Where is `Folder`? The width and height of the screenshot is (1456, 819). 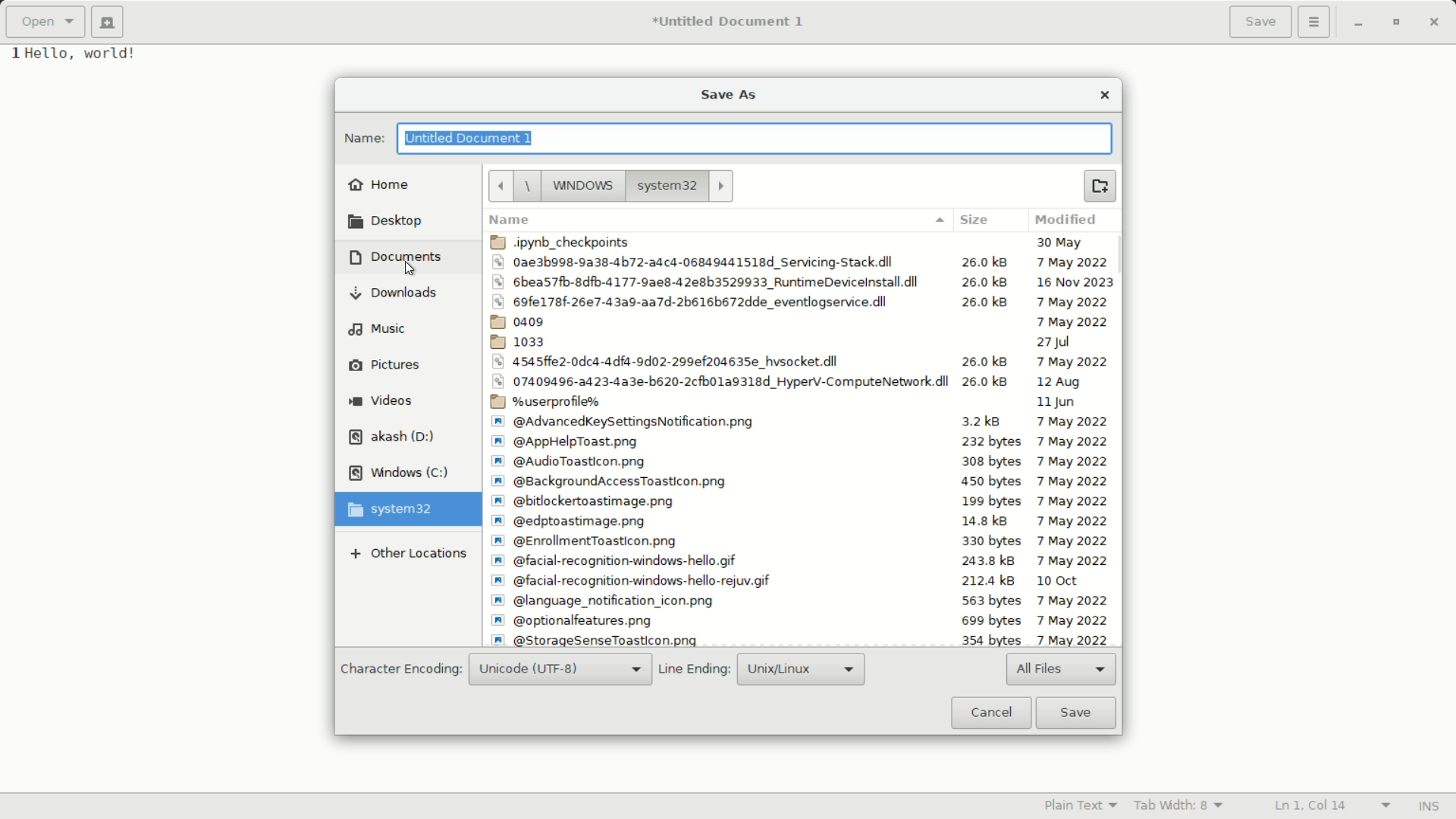 Folder is located at coordinates (802, 403).